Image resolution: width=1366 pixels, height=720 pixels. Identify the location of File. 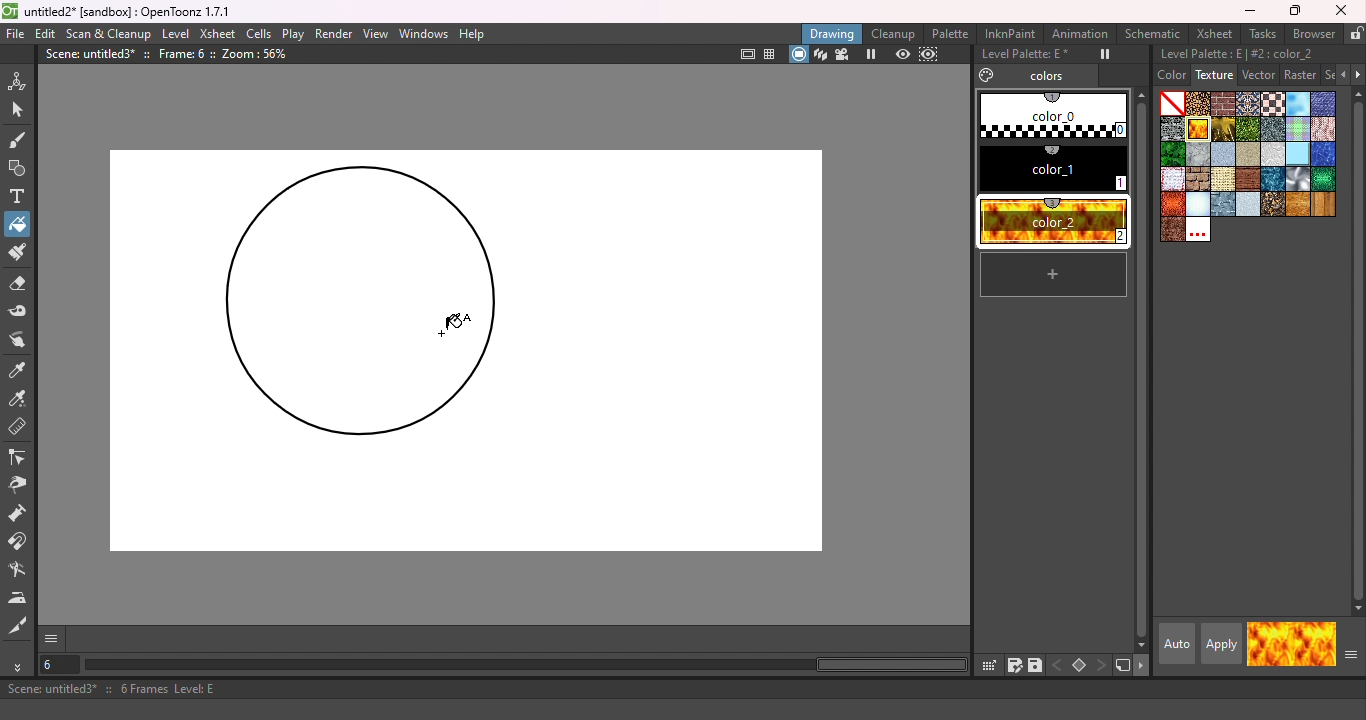
(16, 35).